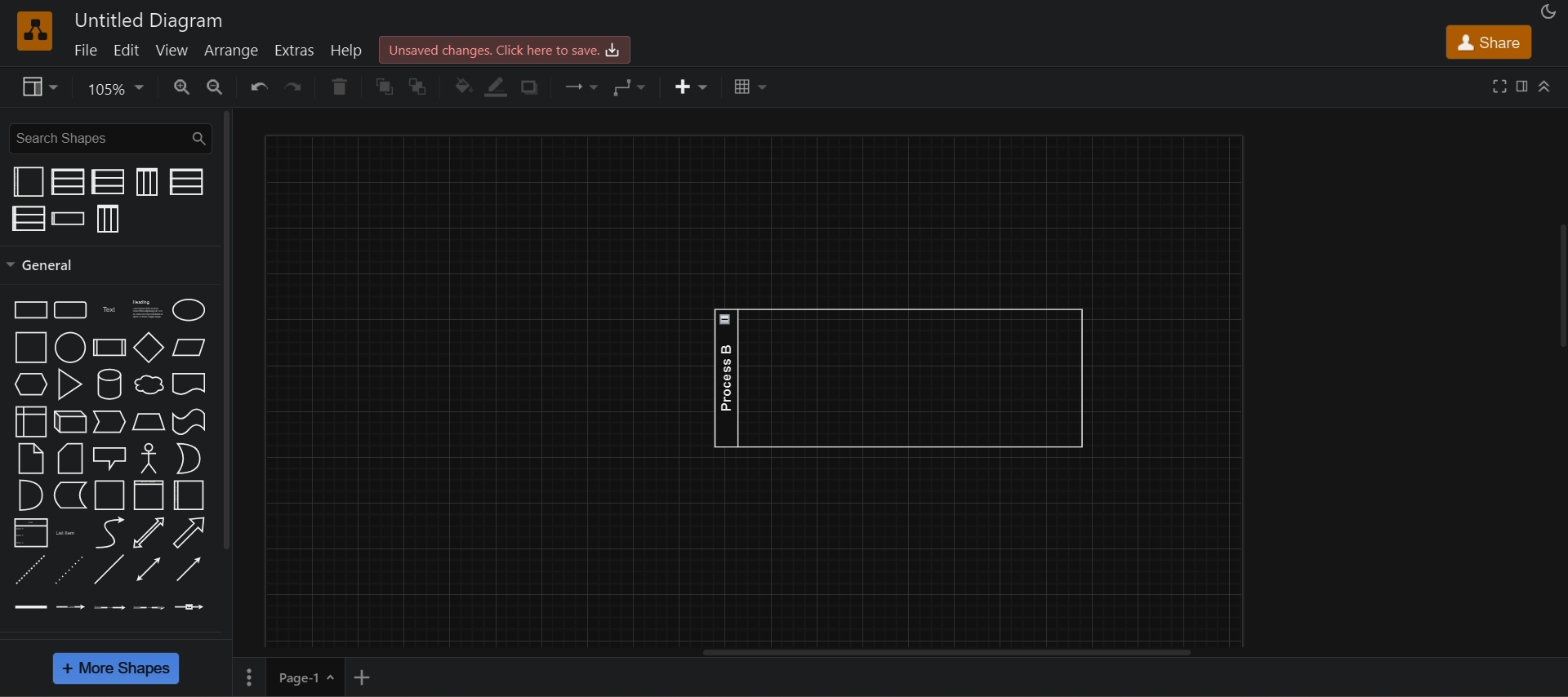 This screenshot has height=697, width=1568. What do you see at coordinates (107, 496) in the screenshot?
I see `container` at bounding box center [107, 496].